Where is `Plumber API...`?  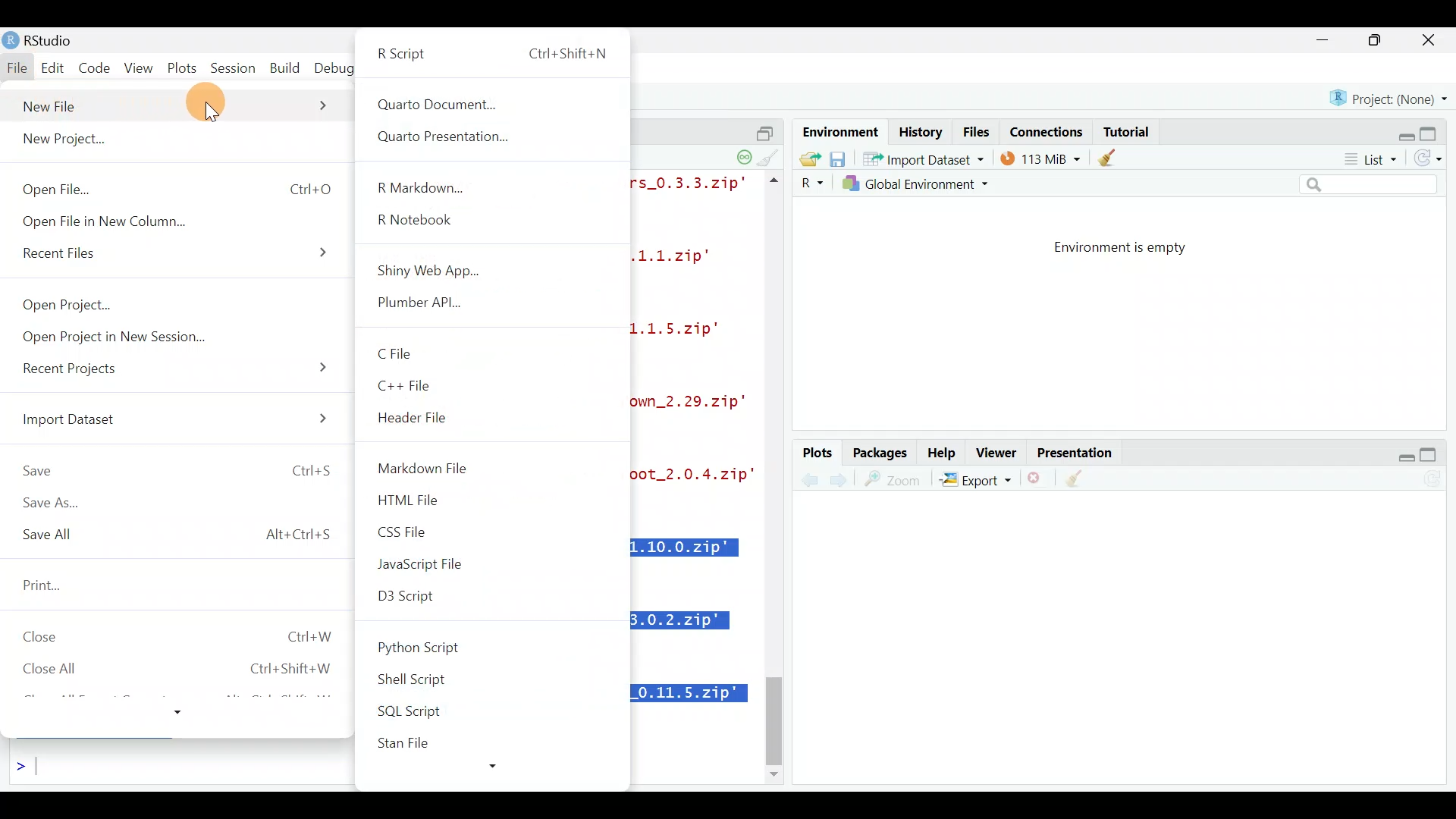
Plumber API... is located at coordinates (424, 303).